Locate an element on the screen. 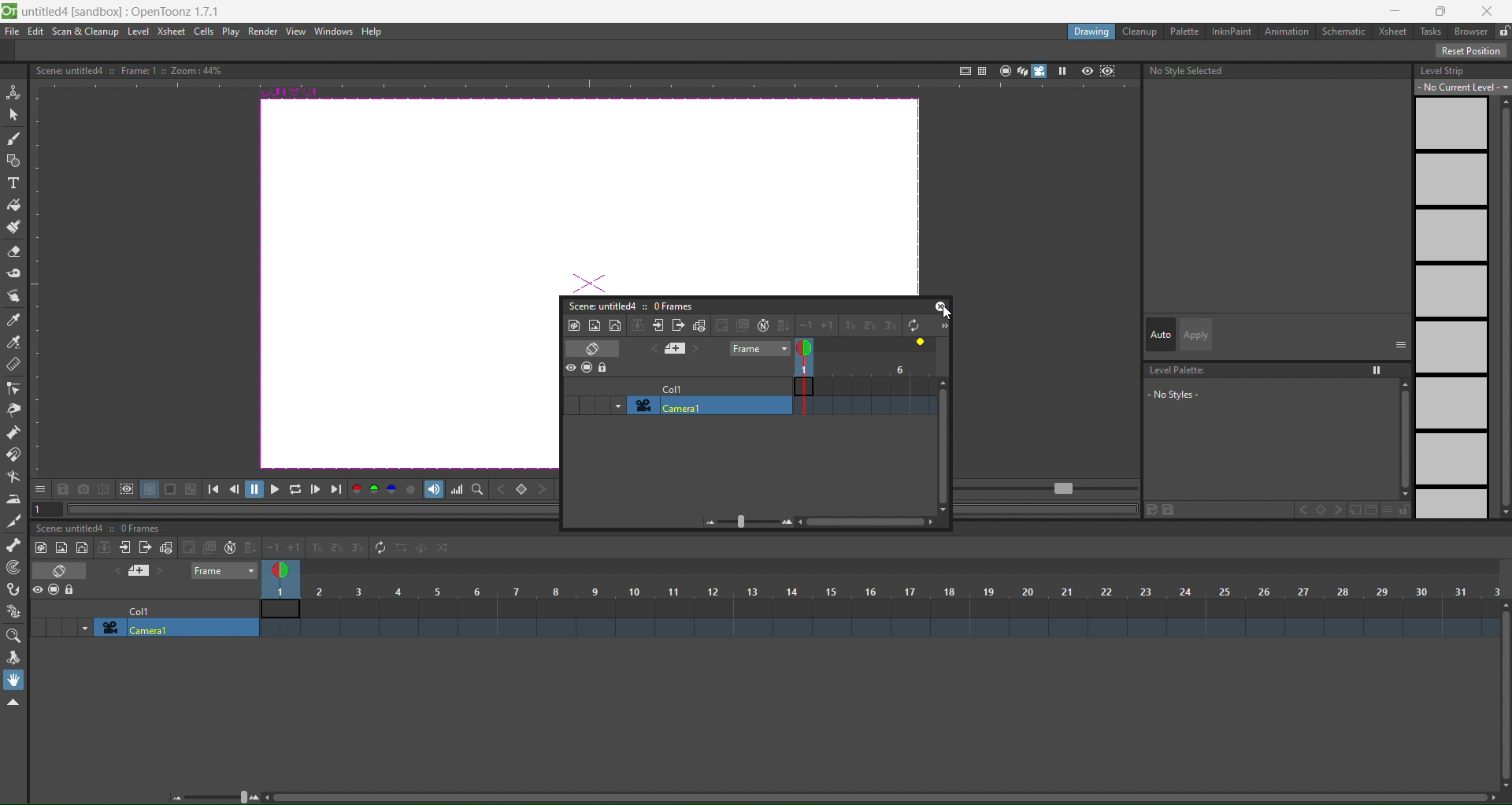 This screenshot has width=1512, height=805. text is located at coordinates (1189, 71).